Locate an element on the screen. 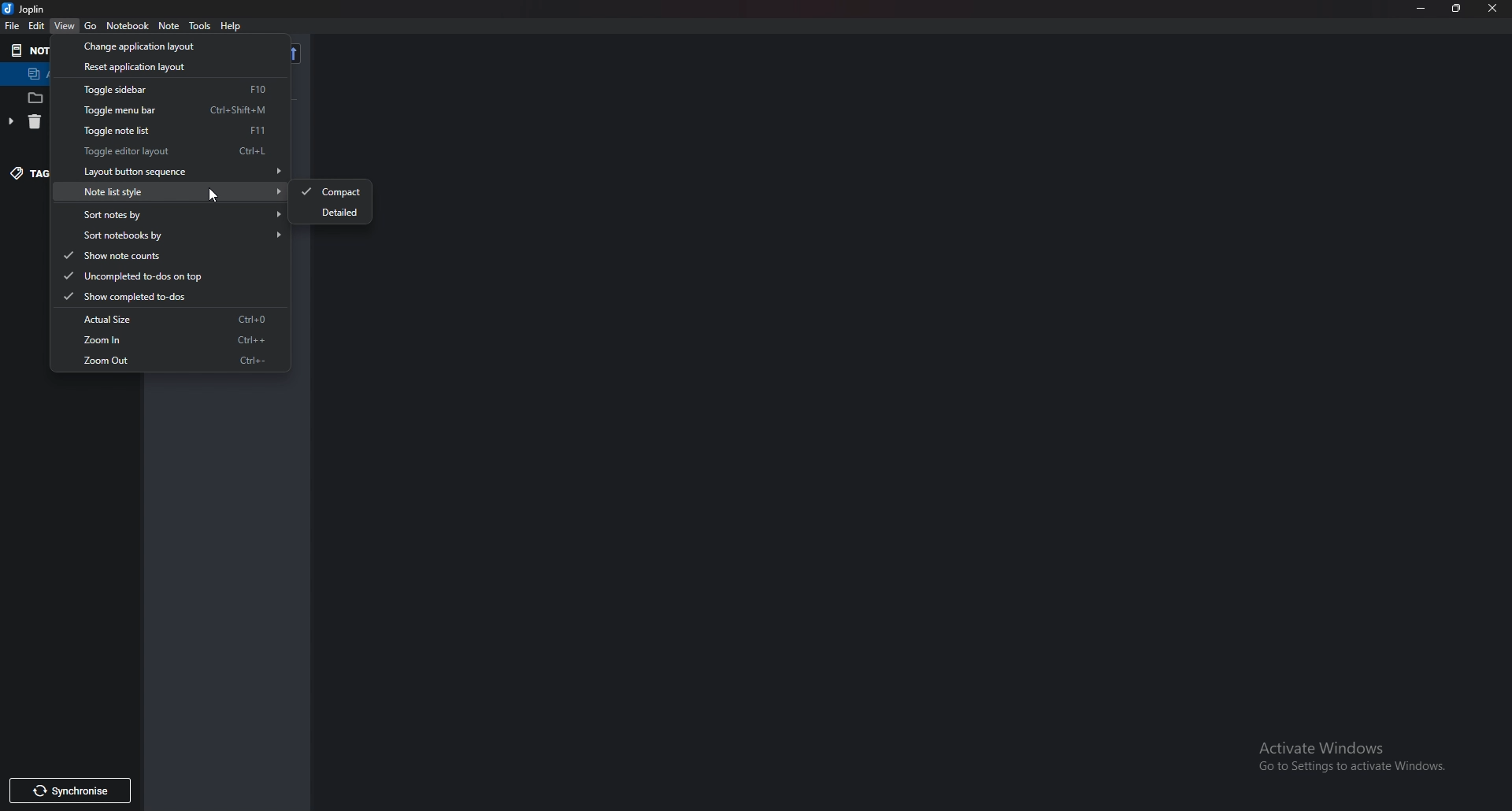 The height and width of the screenshot is (811, 1512). toggle editor layout is located at coordinates (193, 152).